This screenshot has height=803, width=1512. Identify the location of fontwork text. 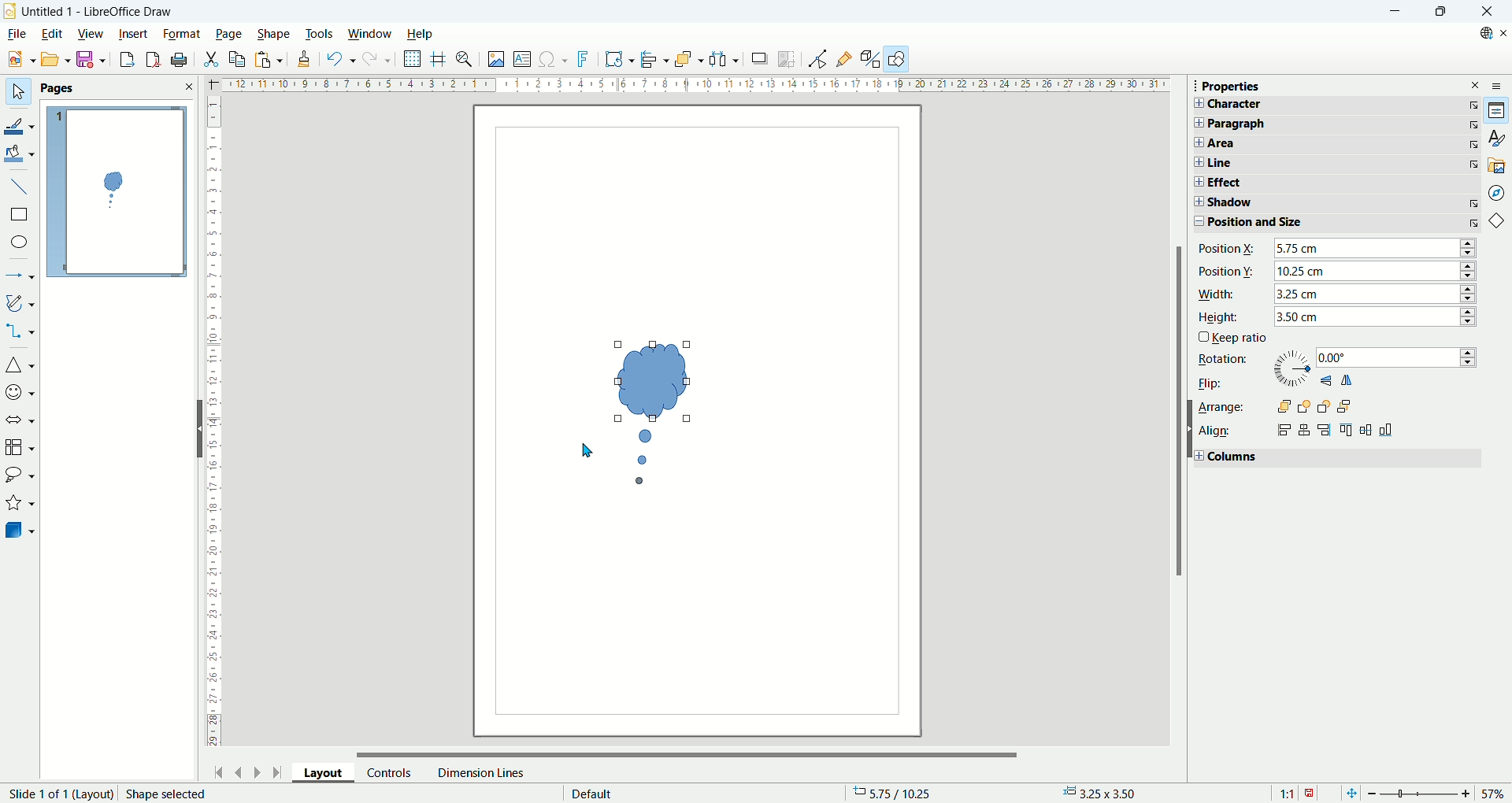
(619, 60).